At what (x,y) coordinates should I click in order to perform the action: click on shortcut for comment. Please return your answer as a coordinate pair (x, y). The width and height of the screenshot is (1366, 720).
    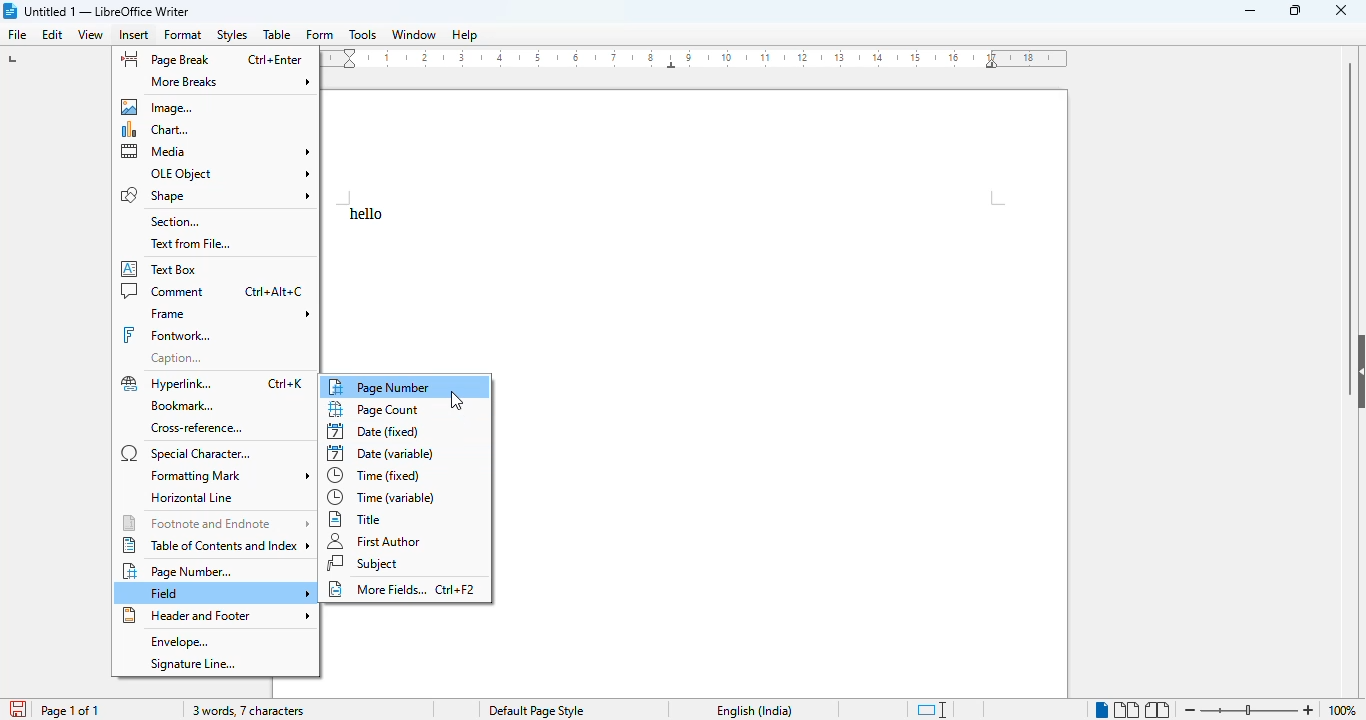
    Looking at the image, I should click on (273, 292).